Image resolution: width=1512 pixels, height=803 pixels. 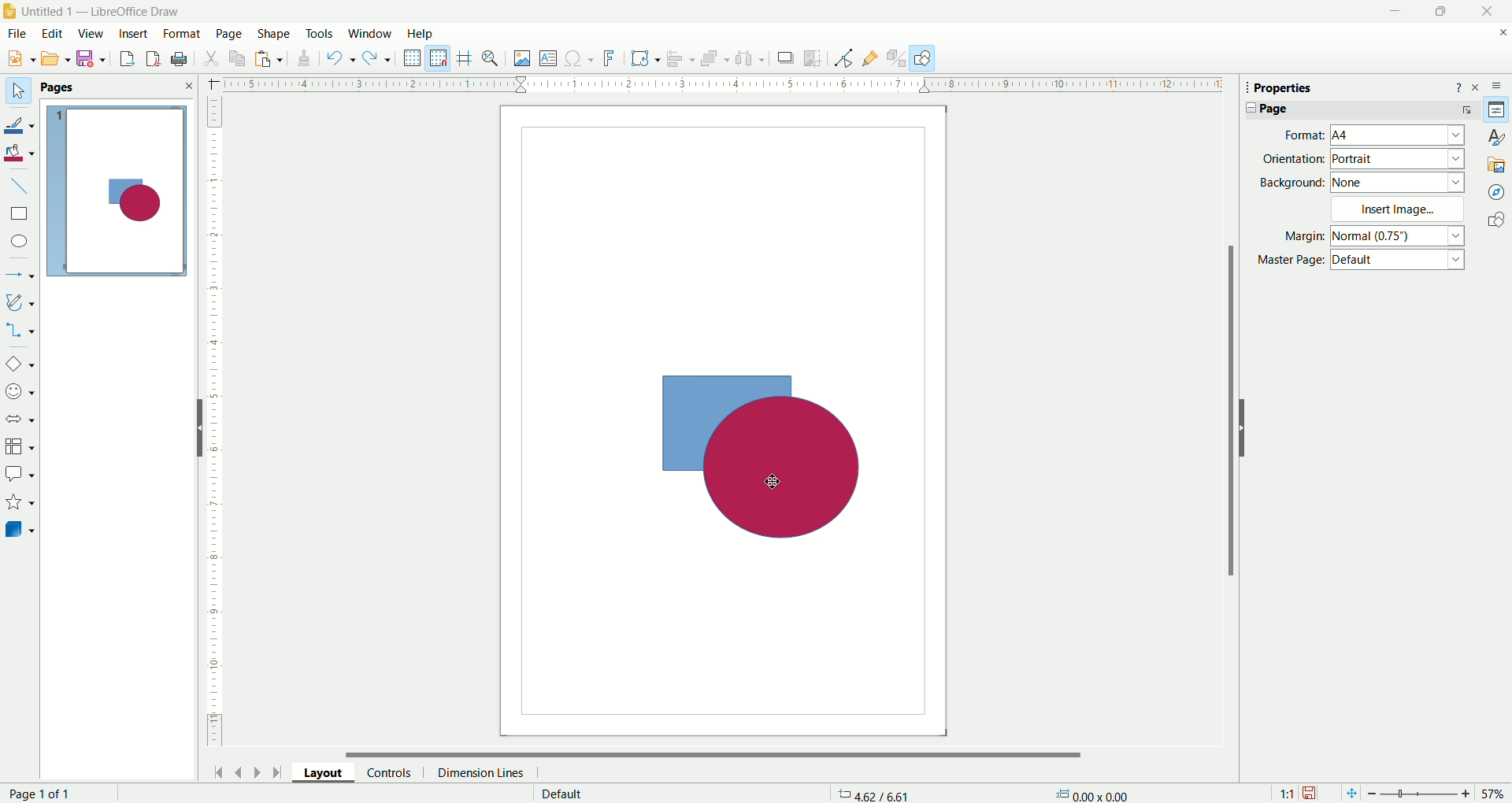 What do you see at coordinates (21, 330) in the screenshot?
I see `connectors` at bounding box center [21, 330].